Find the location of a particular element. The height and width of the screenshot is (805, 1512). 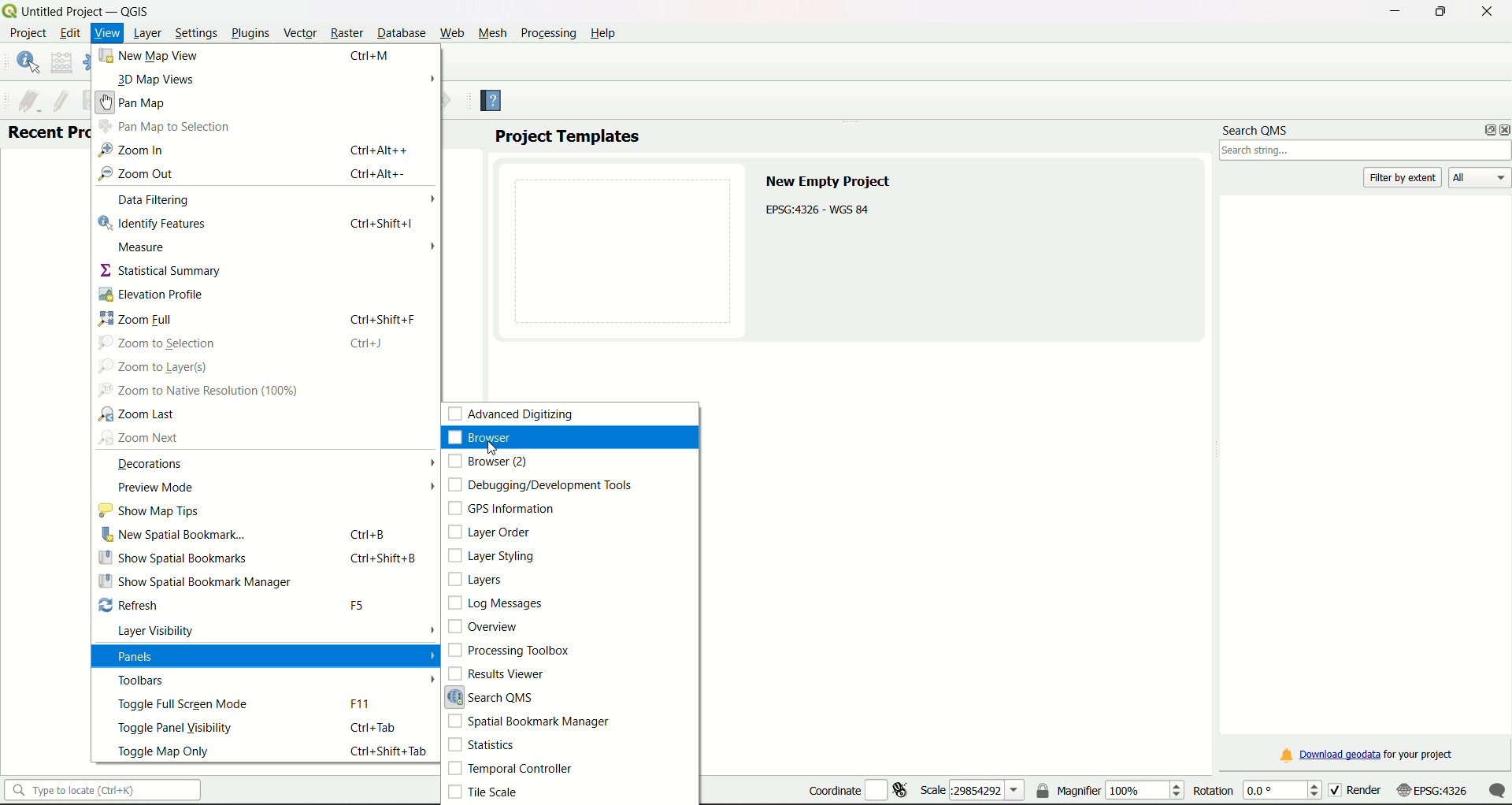

toggle full screen mode is located at coordinates (183, 705).